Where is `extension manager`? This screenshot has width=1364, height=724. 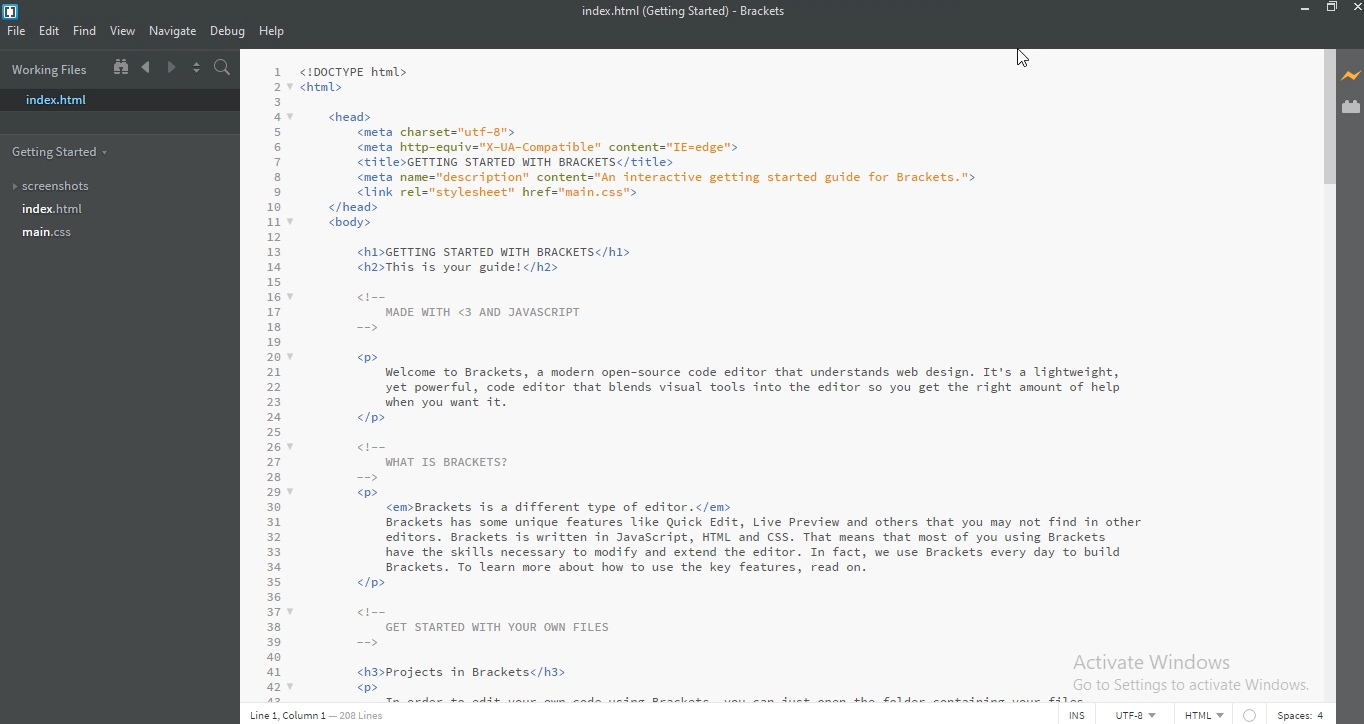
extension manager is located at coordinates (1352, 107).